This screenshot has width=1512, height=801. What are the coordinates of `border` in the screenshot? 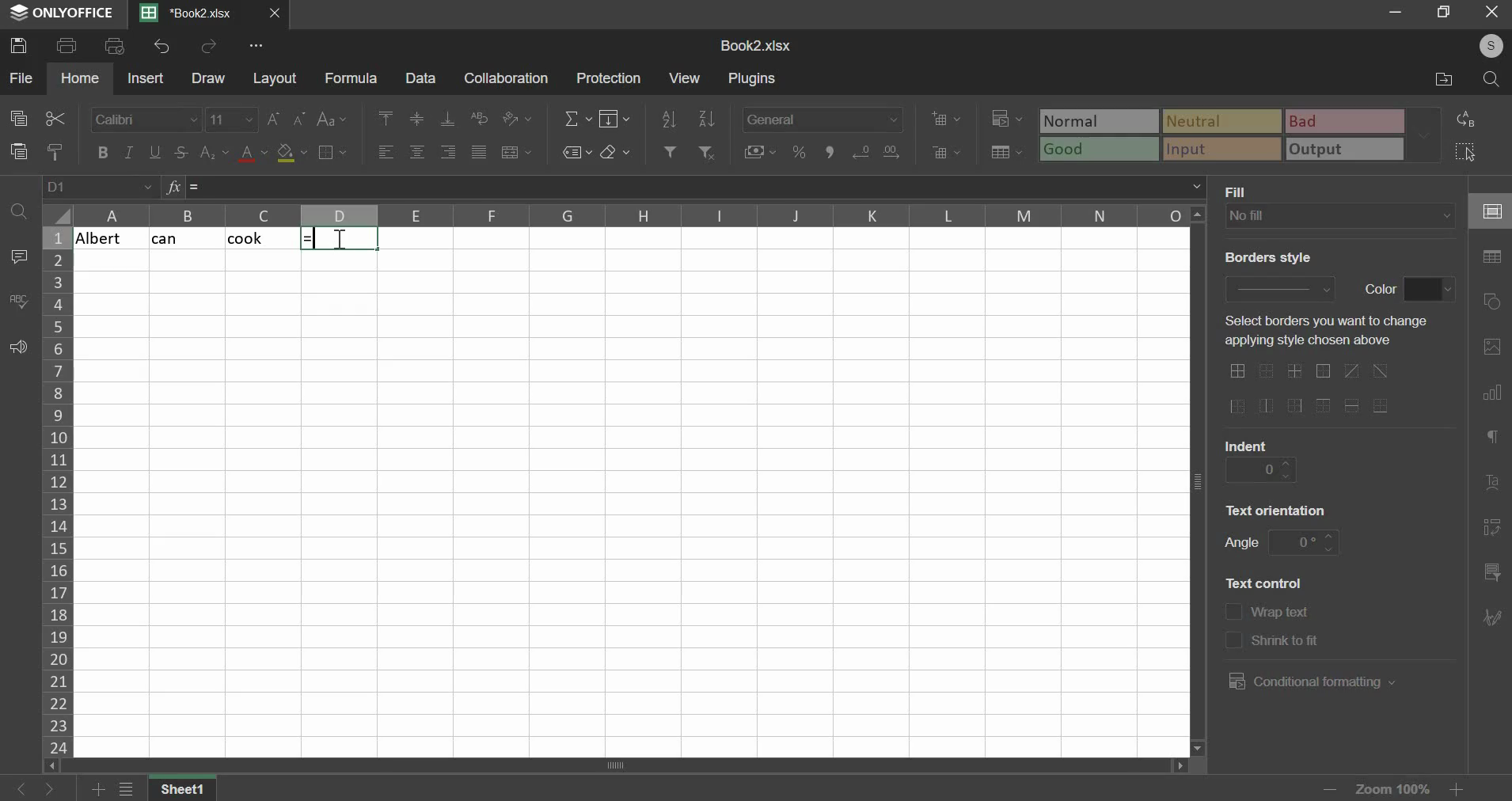 It's located at (332, 151).